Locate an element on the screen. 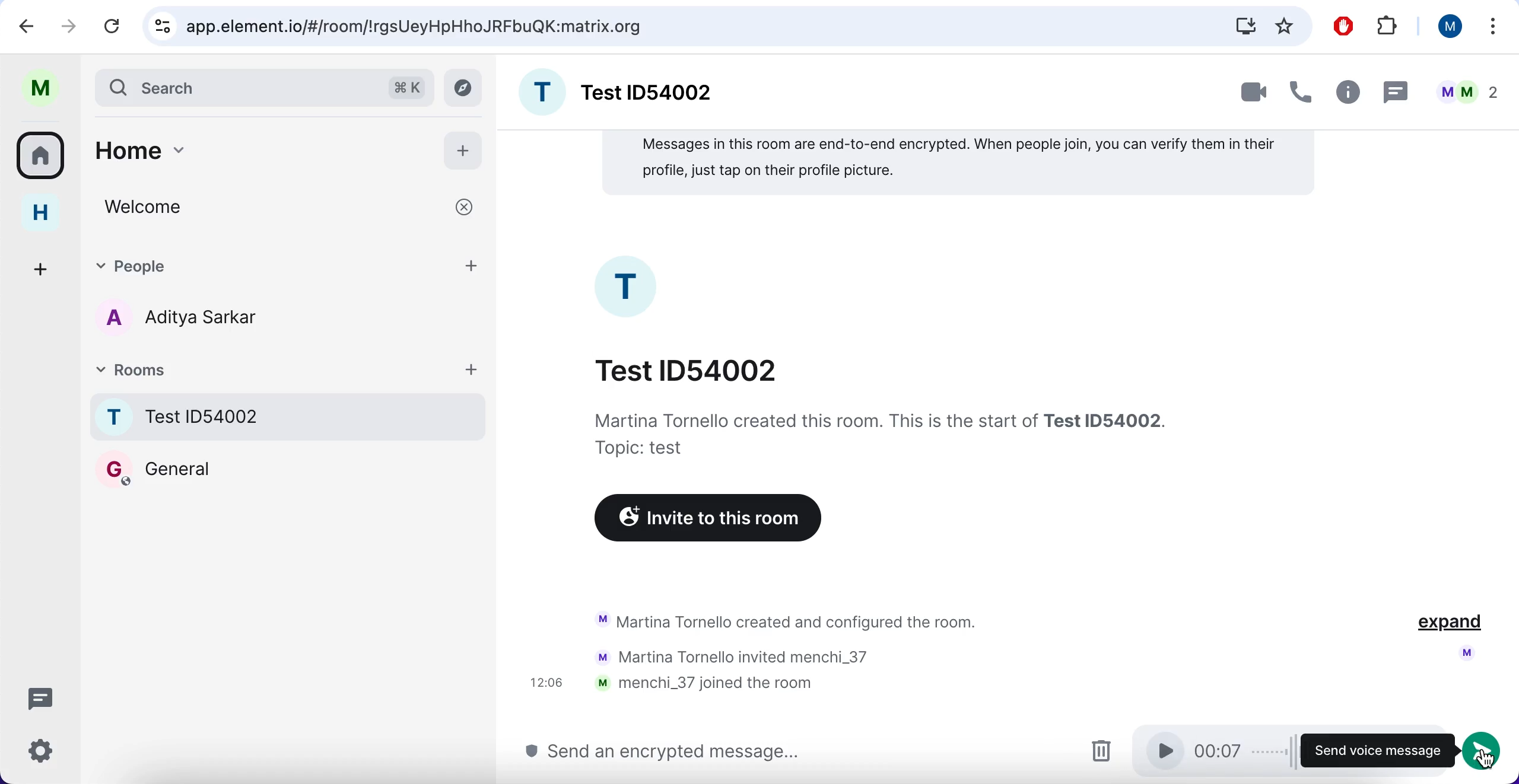 This screenshot has width=1519, height=784. reload current page is located at coordinates (114, 27).